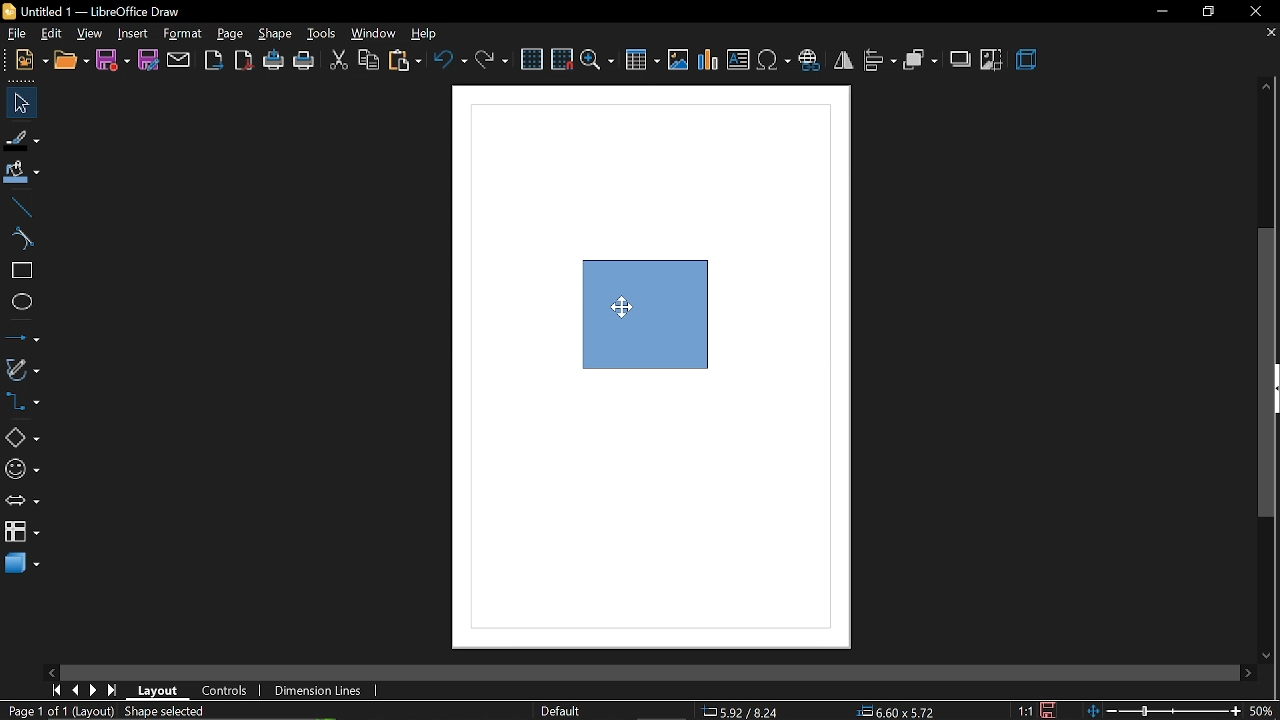 This screenshot has width=1280, height=720. Describe the element at coordinates (161, 710) in the screenshot. I see `shape selected` at that location.